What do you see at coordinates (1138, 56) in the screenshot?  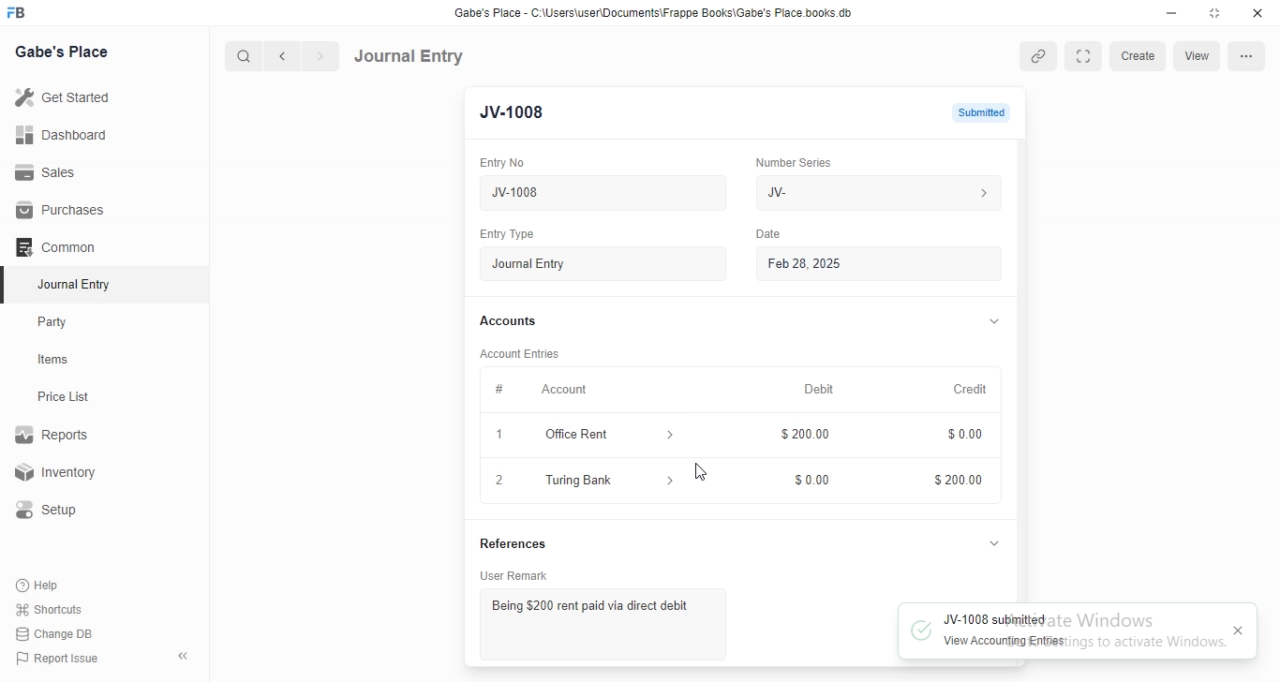 I see `create` at bounding box center [1138, 56].